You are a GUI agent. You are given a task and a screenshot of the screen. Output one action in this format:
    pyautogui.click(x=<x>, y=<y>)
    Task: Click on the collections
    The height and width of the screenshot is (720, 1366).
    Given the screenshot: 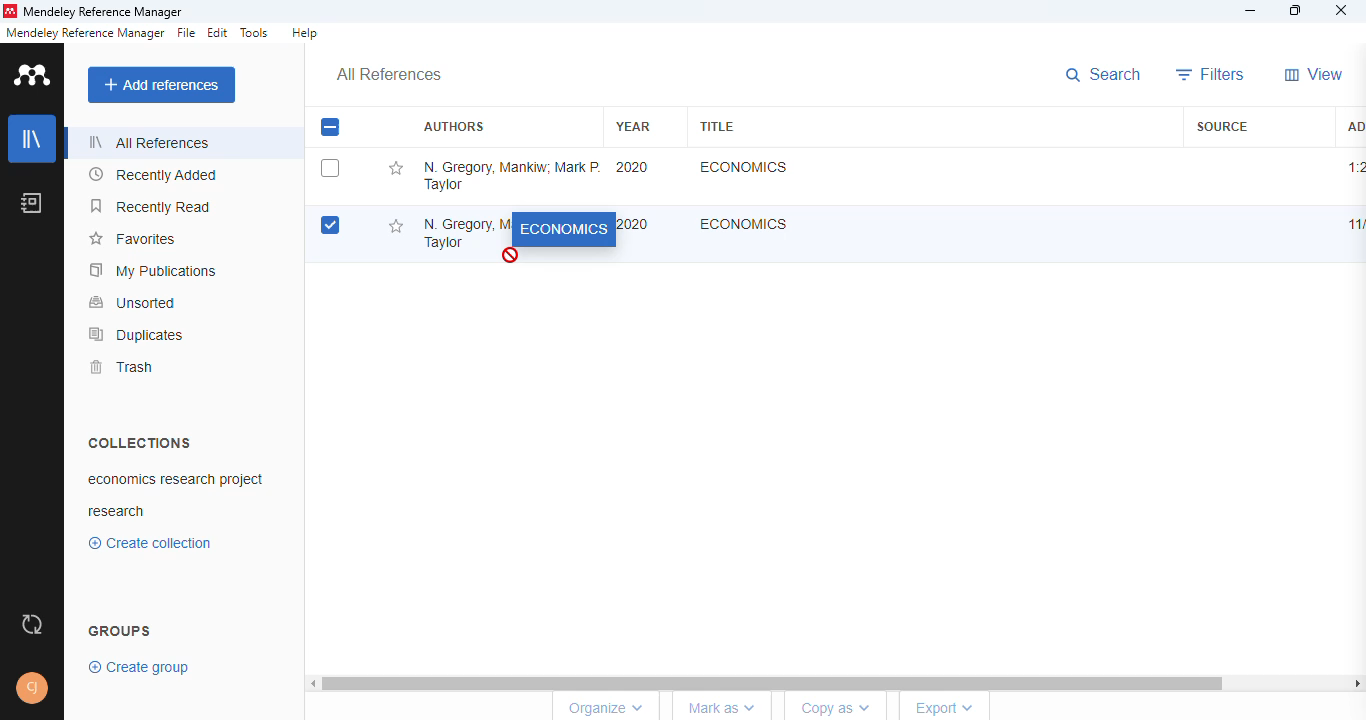 What is the action you would take?
    pyautogui.click(x=139, y=442)
    